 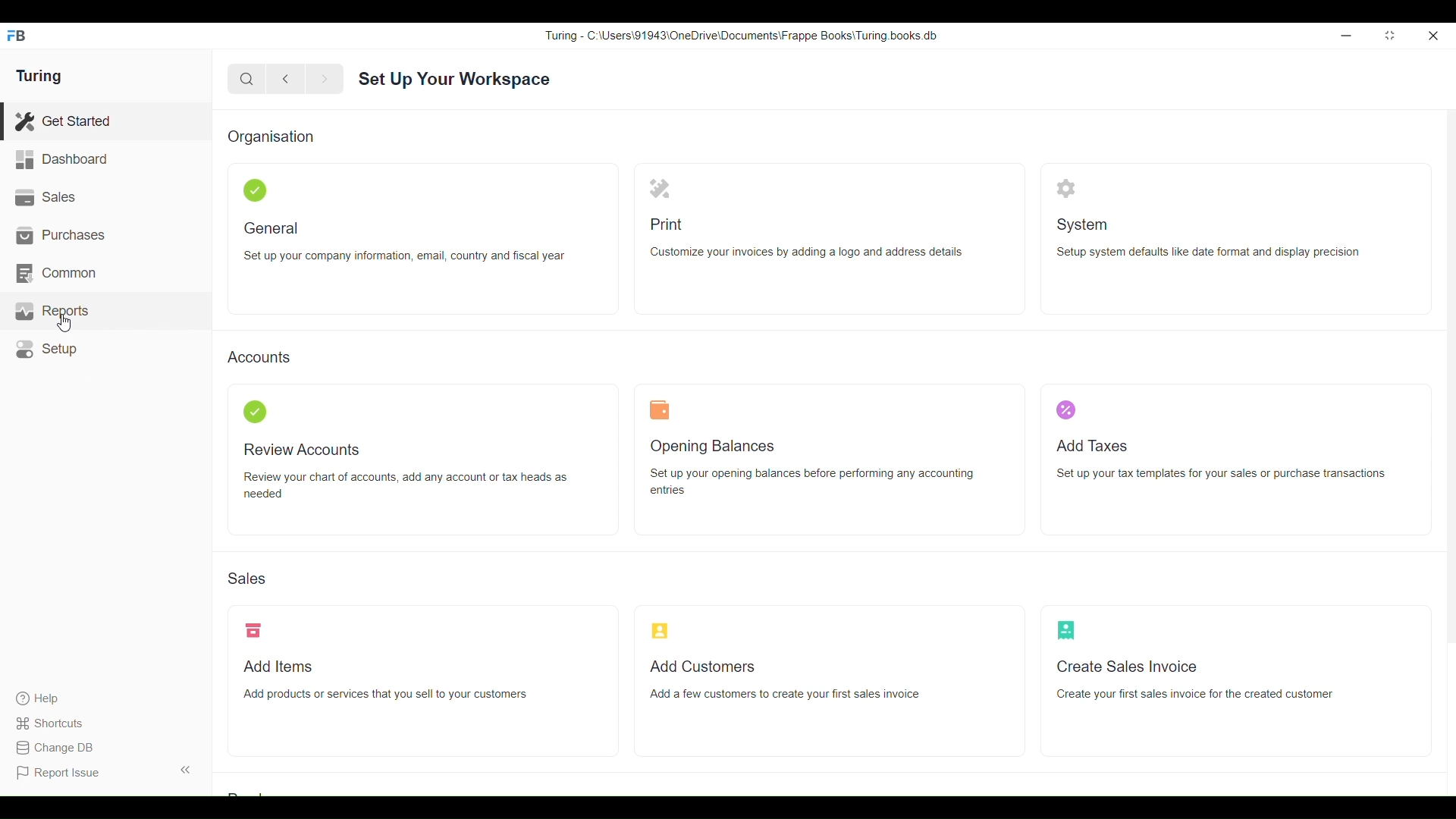 I want to click on Set Up Your Workspace, so click(x=454, y=80).